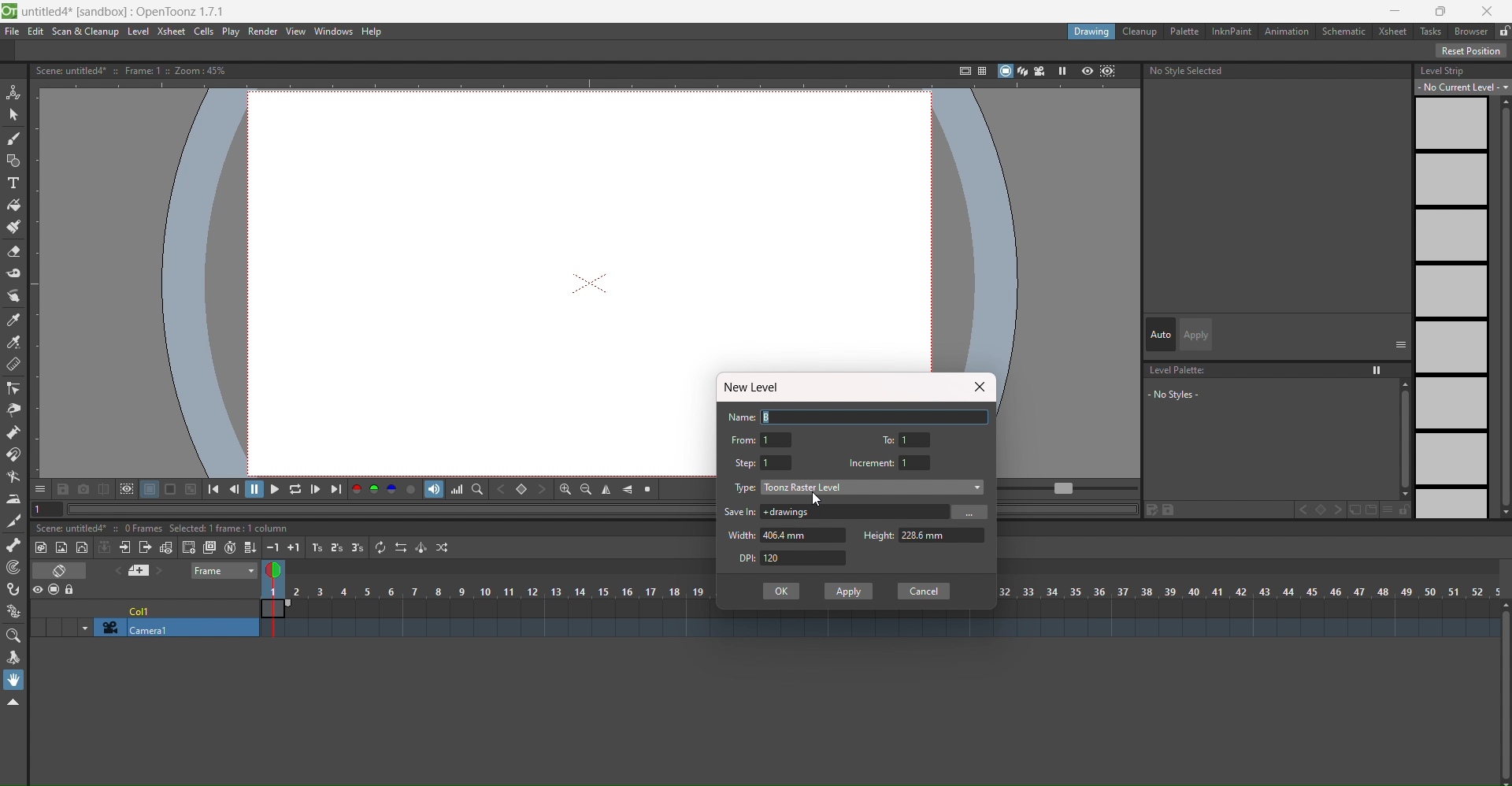 The height and width of the screenshot is (786, 1512). What do you see at coordinates (1109, 72) in the screenshot?
I see `sub camera preview` at bounding box center [1109, 72].